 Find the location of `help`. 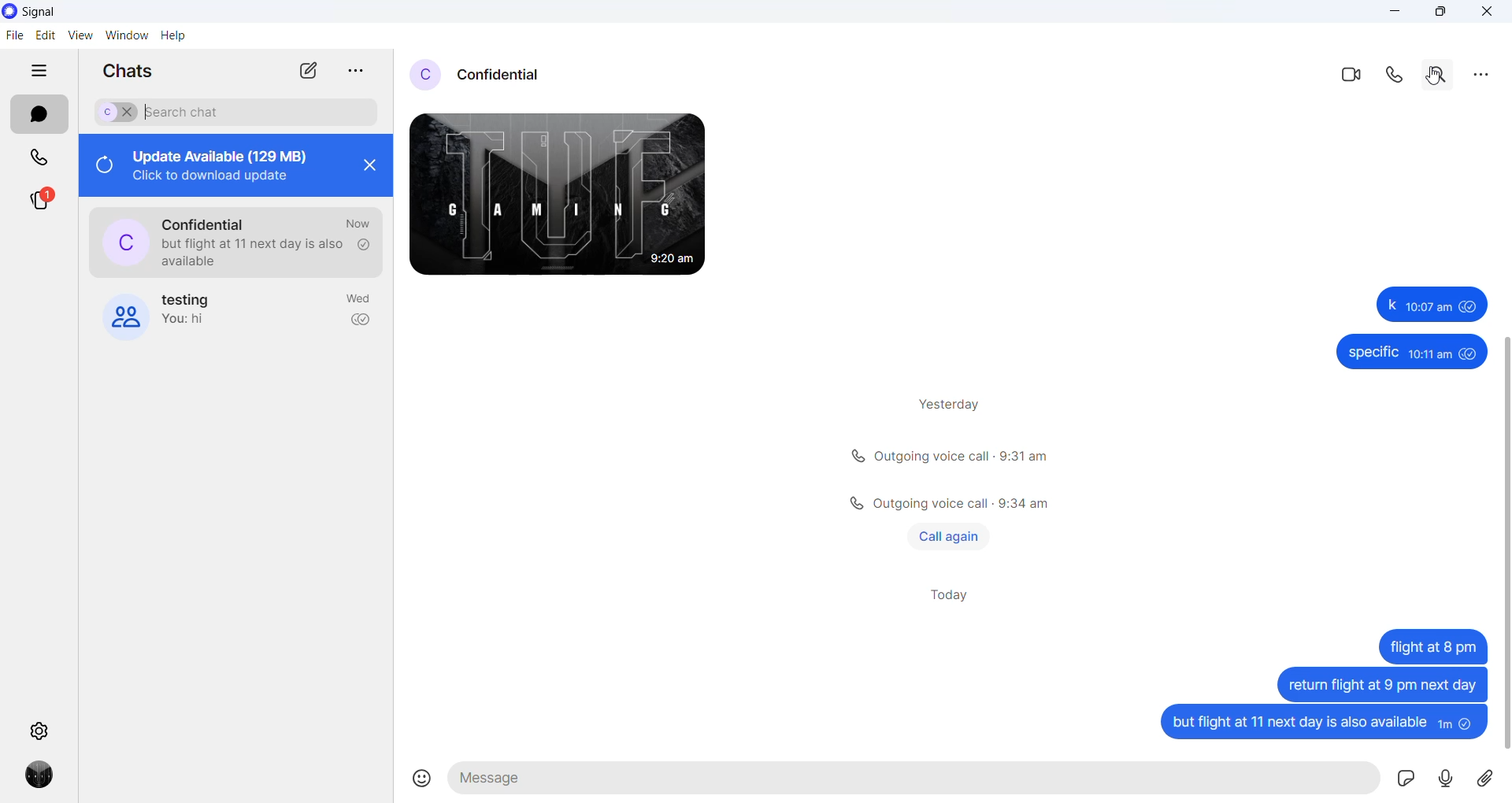

help is located at coordinates (176, 37).